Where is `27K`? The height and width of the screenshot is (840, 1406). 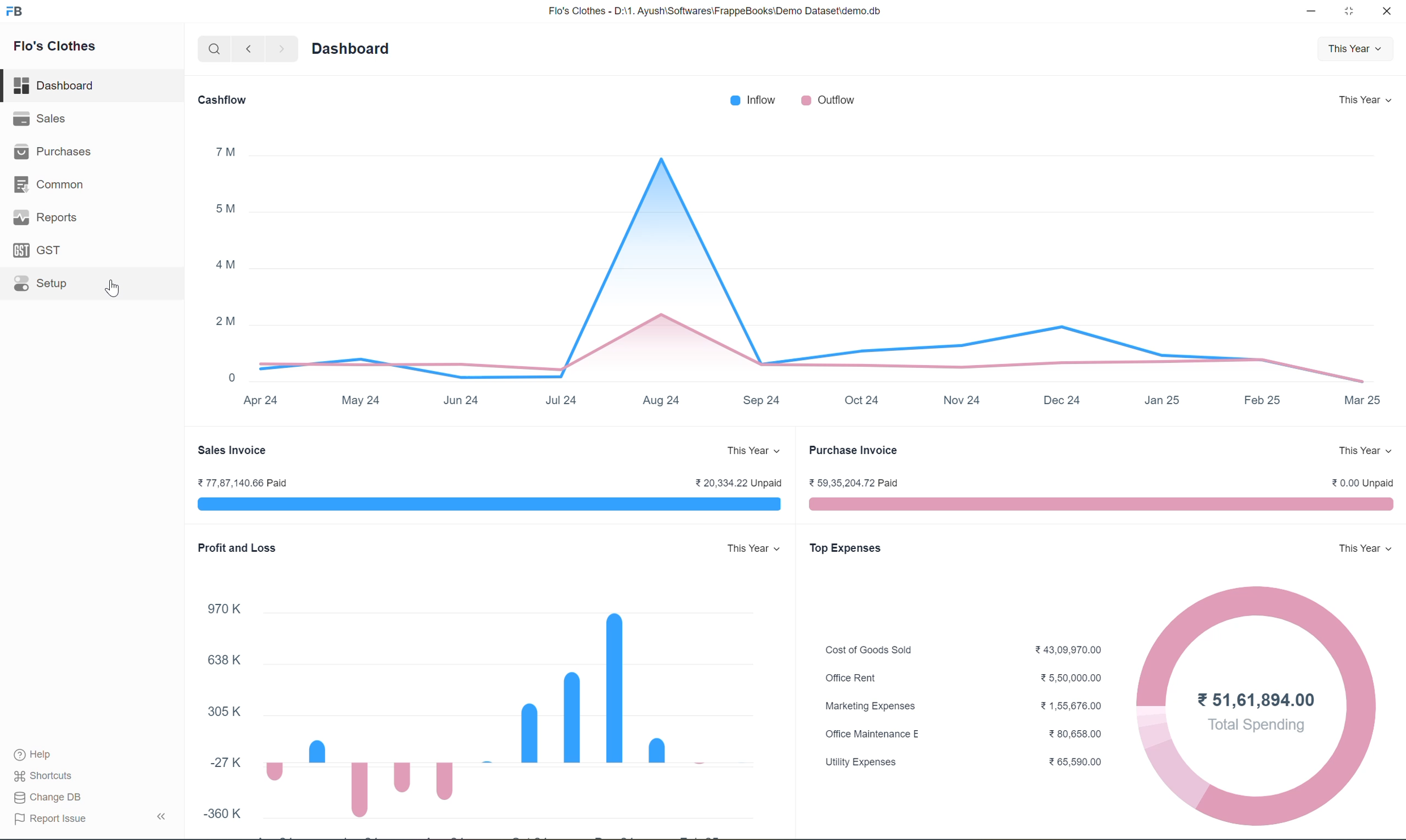 27K is located at coordinates (225, 763).